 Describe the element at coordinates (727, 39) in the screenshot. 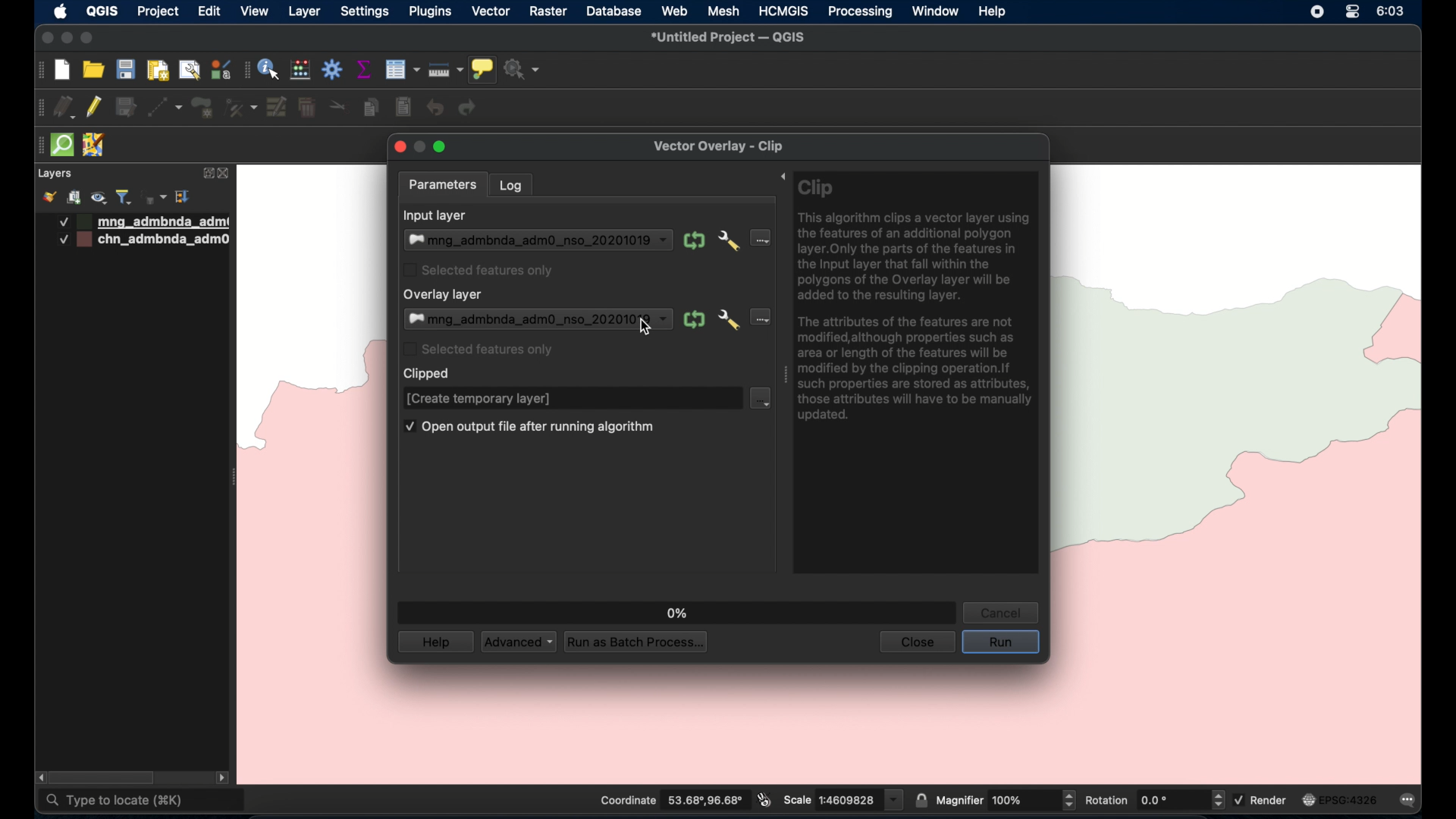

I see `untitled project - QGIS` at that location.